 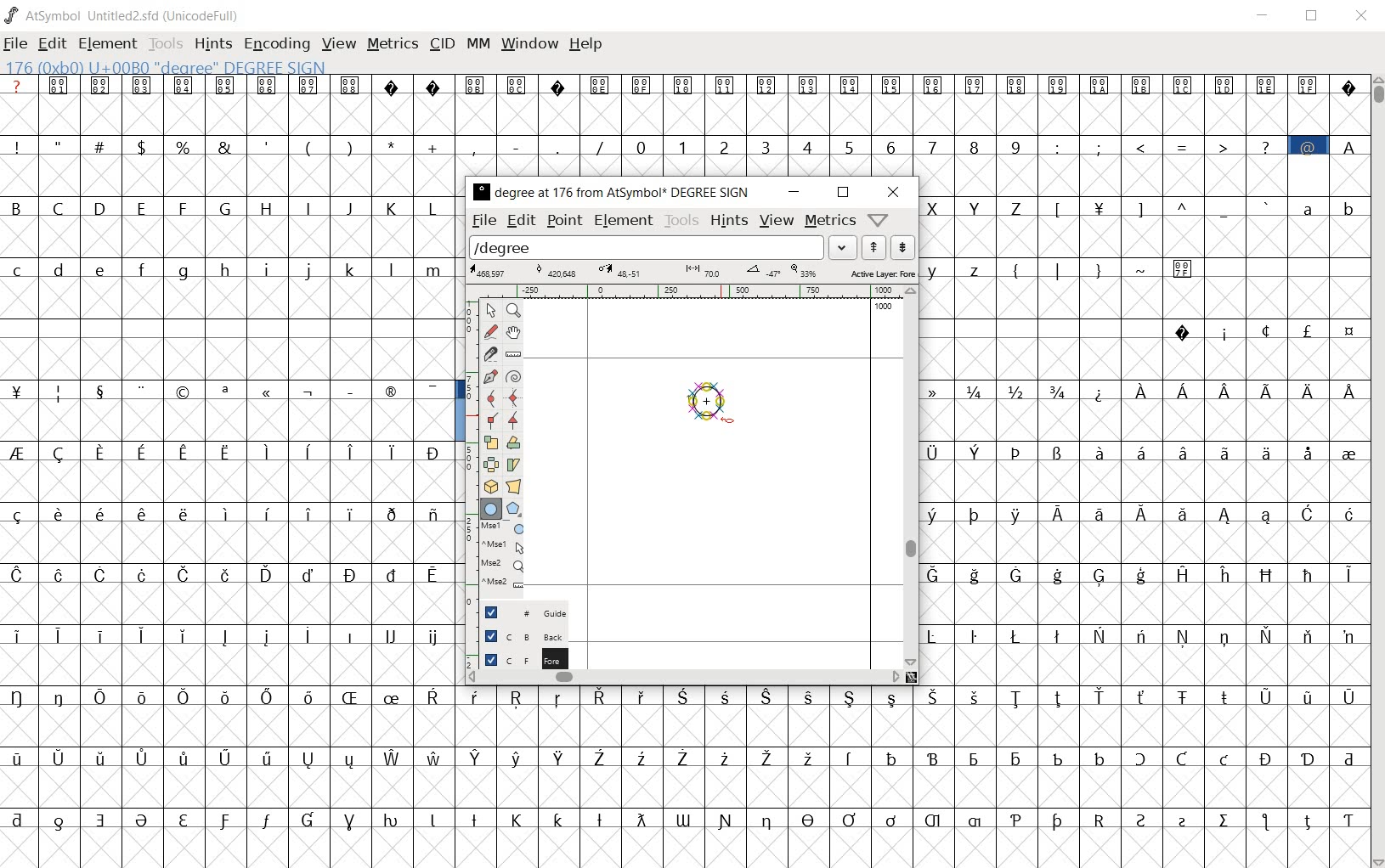 I want to click on view, so click(x=777, y=220).